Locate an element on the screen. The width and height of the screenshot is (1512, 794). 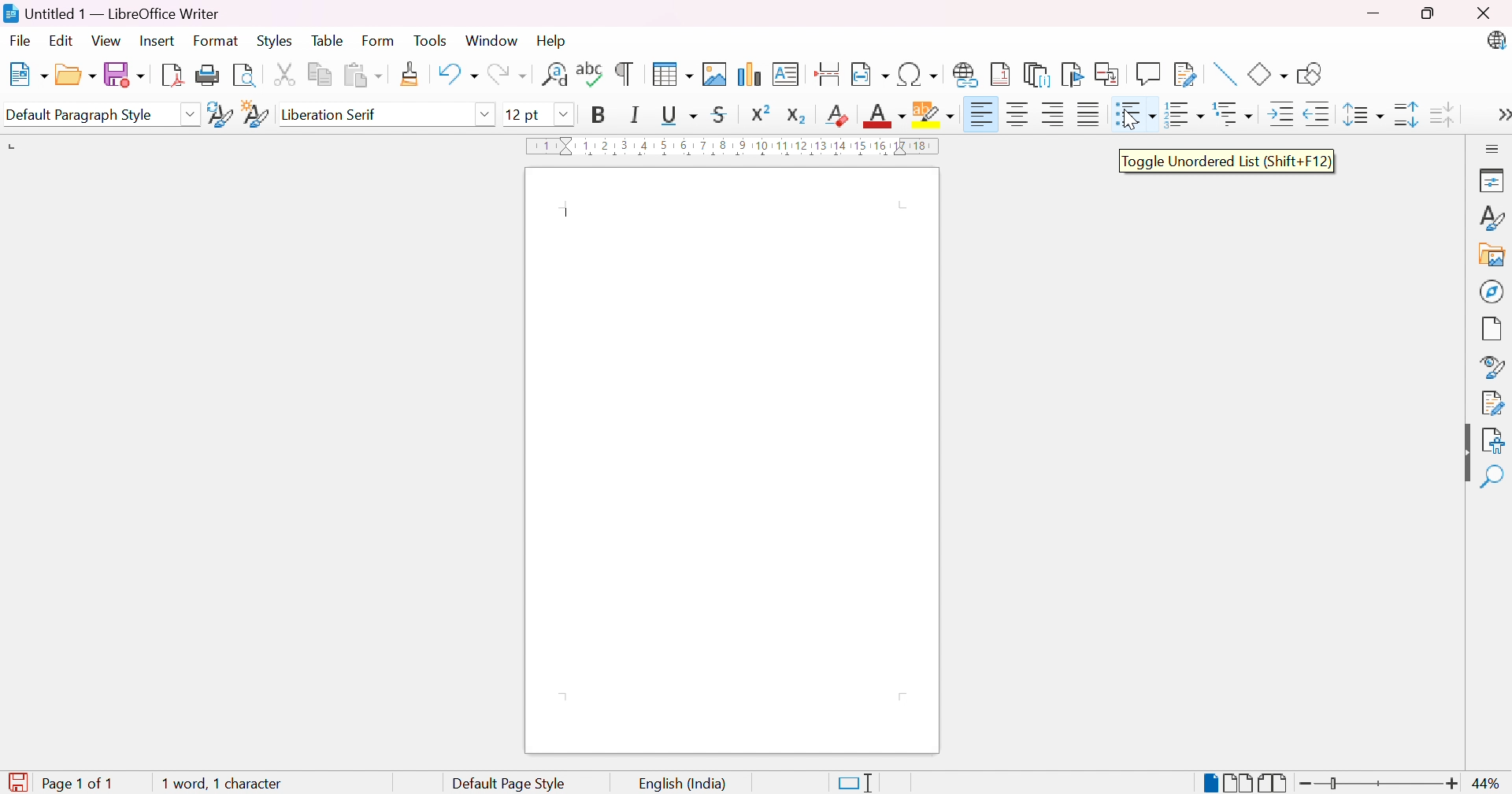
Inset page break is located at coordinates (830, 72).